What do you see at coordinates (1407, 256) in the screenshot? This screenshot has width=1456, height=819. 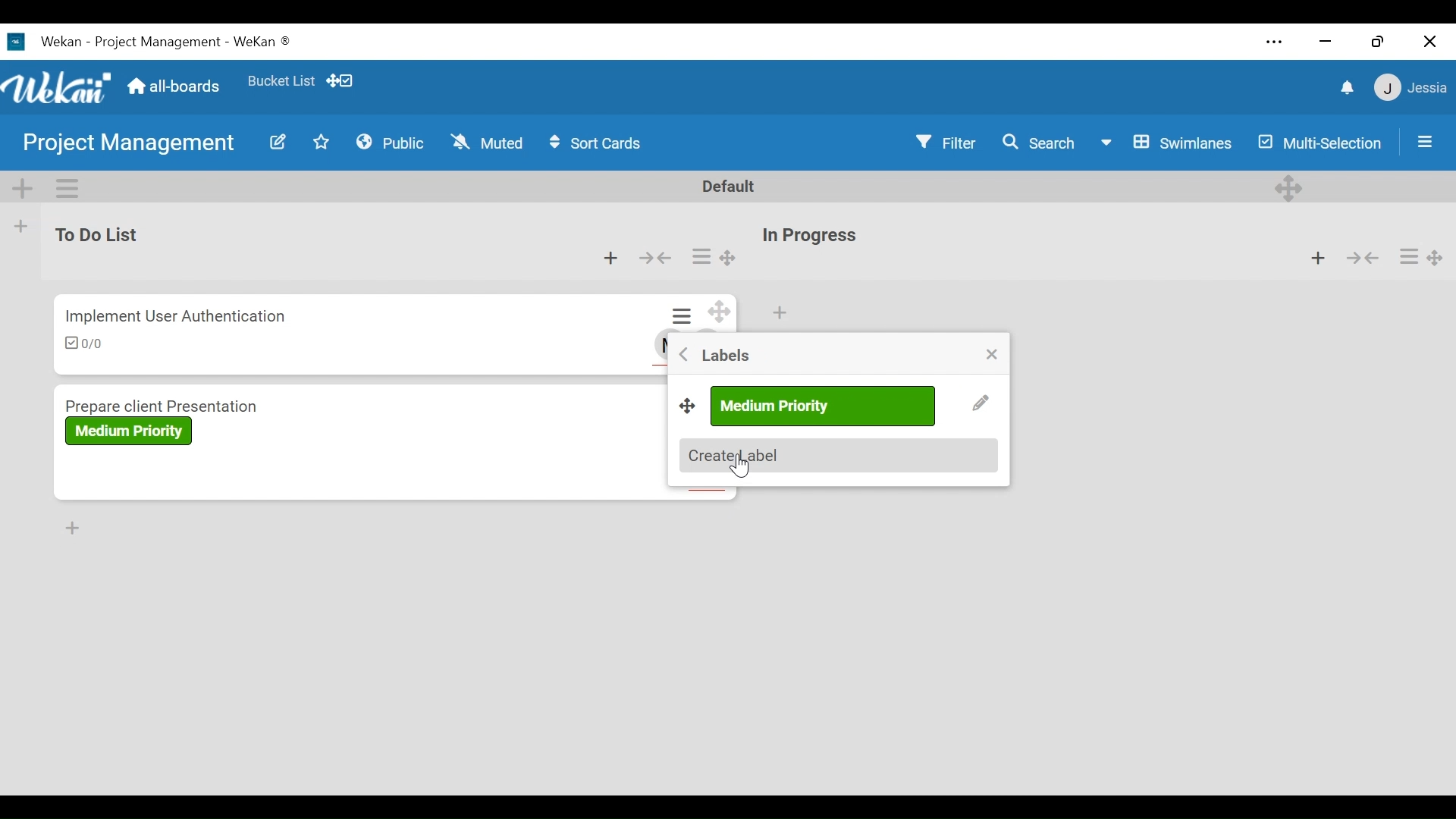 I see `Card actions` at bounding box center [1407, 256].